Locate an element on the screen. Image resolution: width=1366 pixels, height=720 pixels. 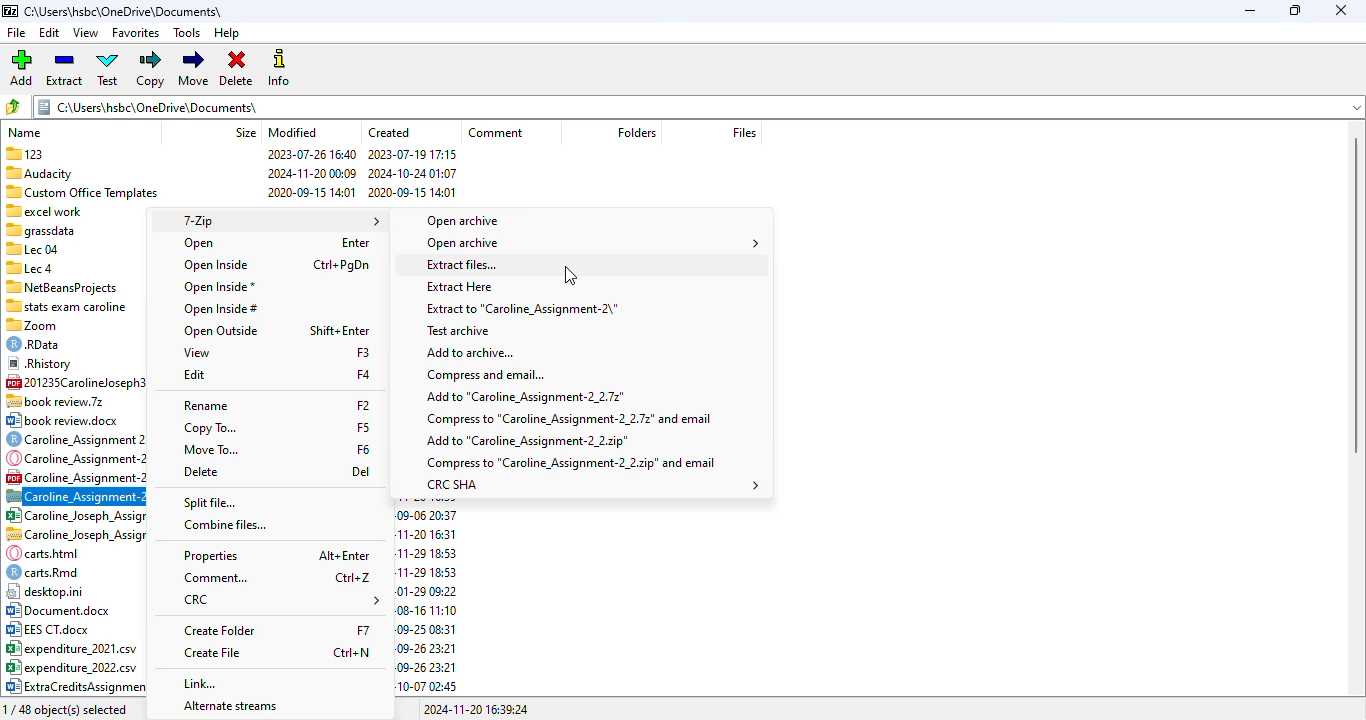
shortcut for move to is located at coordinates (364, 448).